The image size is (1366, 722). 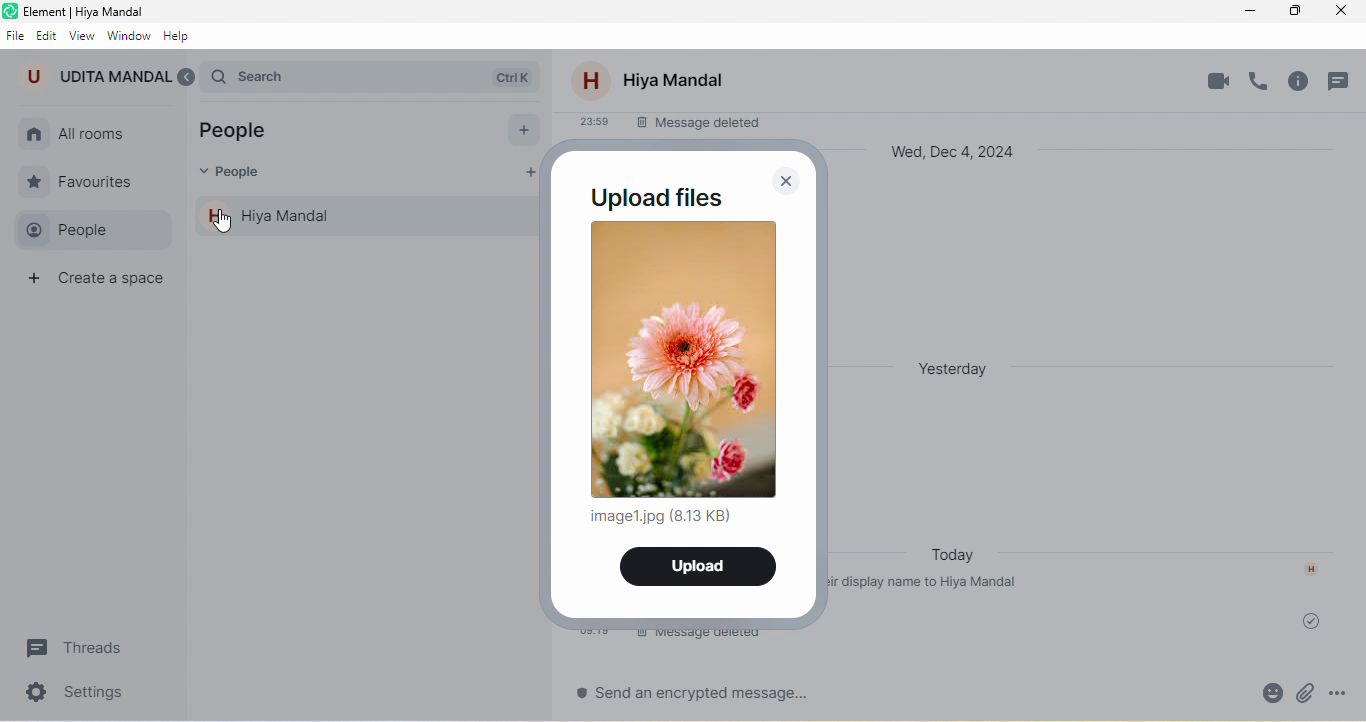 I want to click on User profile picture, so click(x=590, y=79).